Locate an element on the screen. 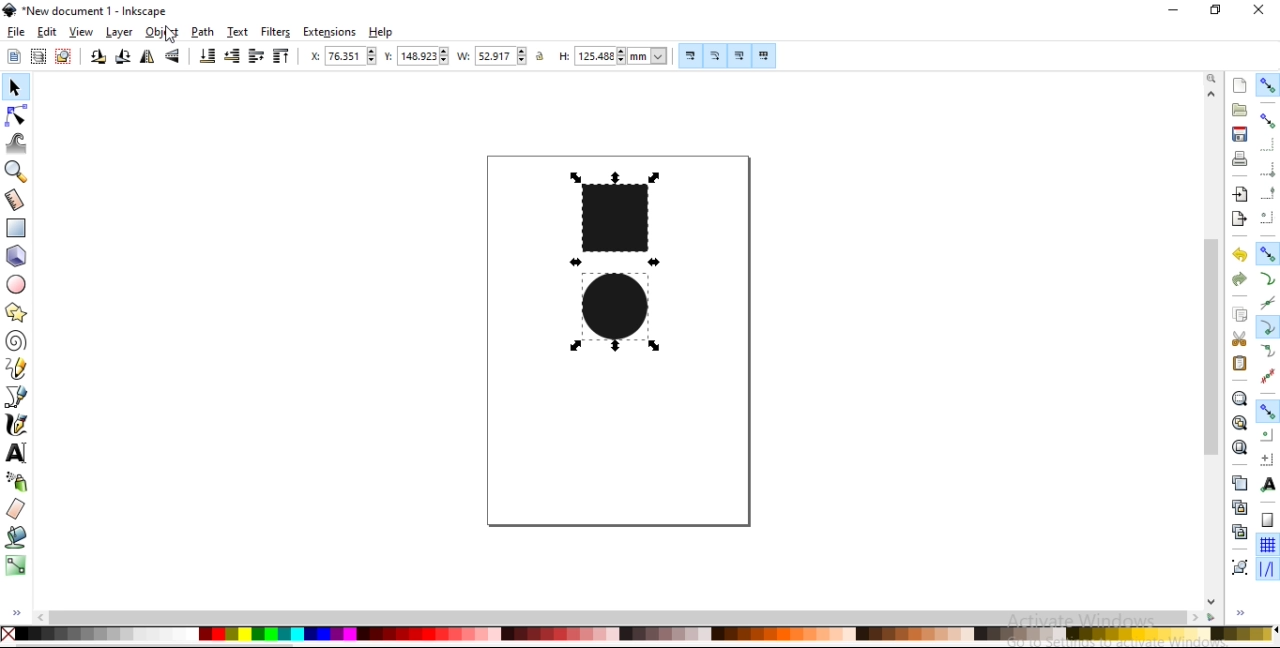 This screenshot has height=648, width=1280. select all objects and nodes is located at coordinates (13, 57).